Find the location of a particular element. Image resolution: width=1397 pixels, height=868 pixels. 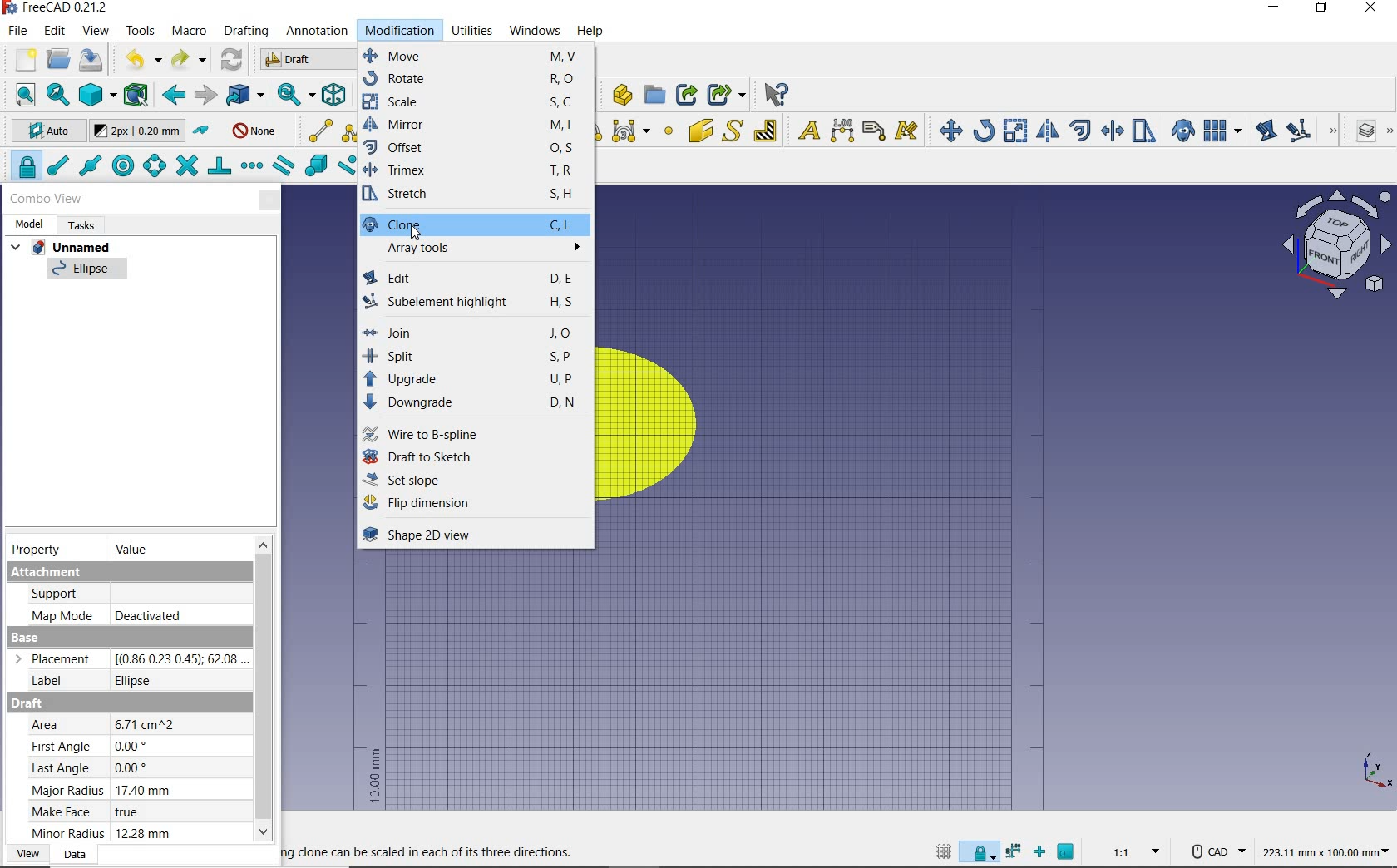

open is located at coordinates (57, 60).